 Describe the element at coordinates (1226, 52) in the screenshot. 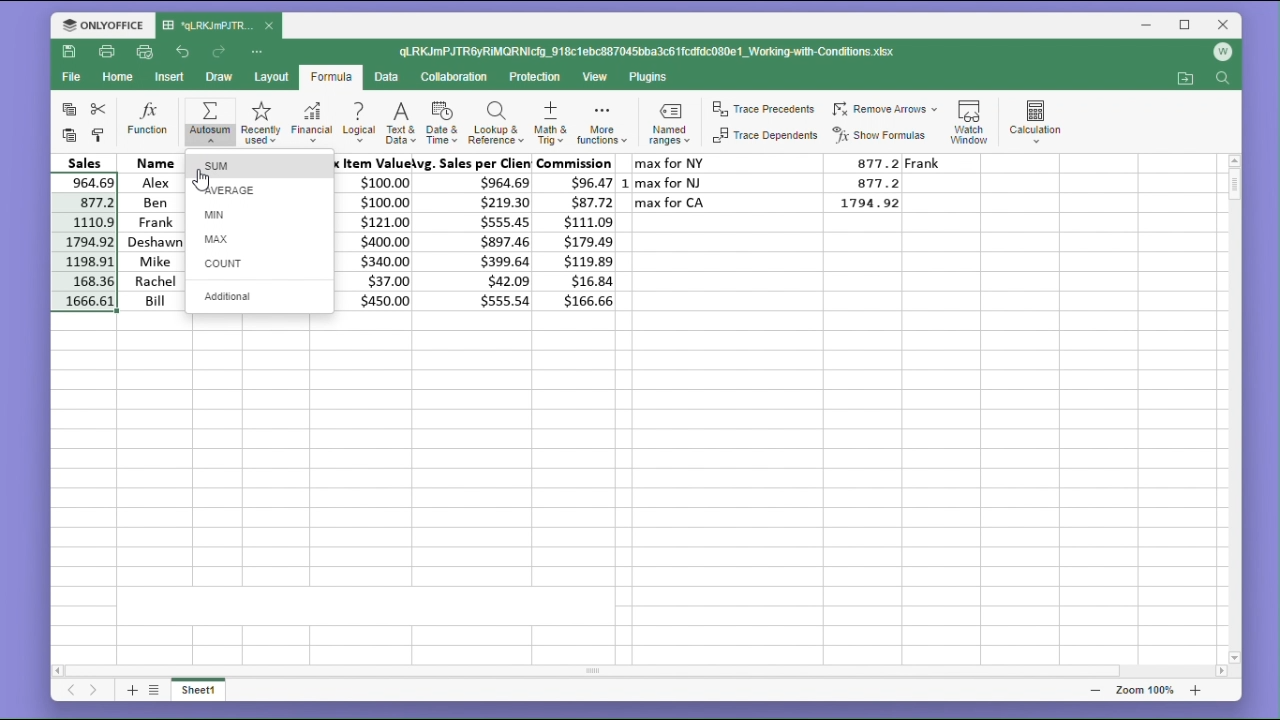

I see `account  logo` at that location.